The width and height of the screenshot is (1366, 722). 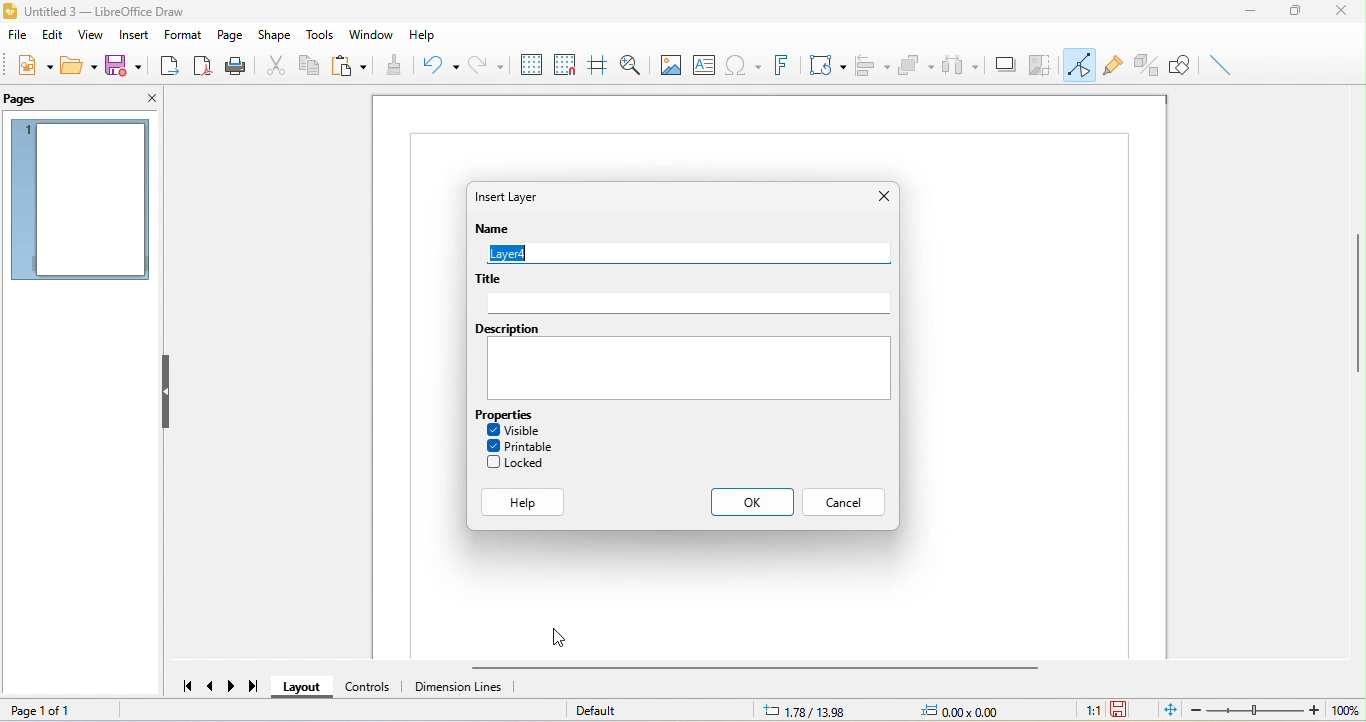 What do you see at coordinates (876, 62) in the screenshot?
I see `align object` at bounding box center [876, 62].